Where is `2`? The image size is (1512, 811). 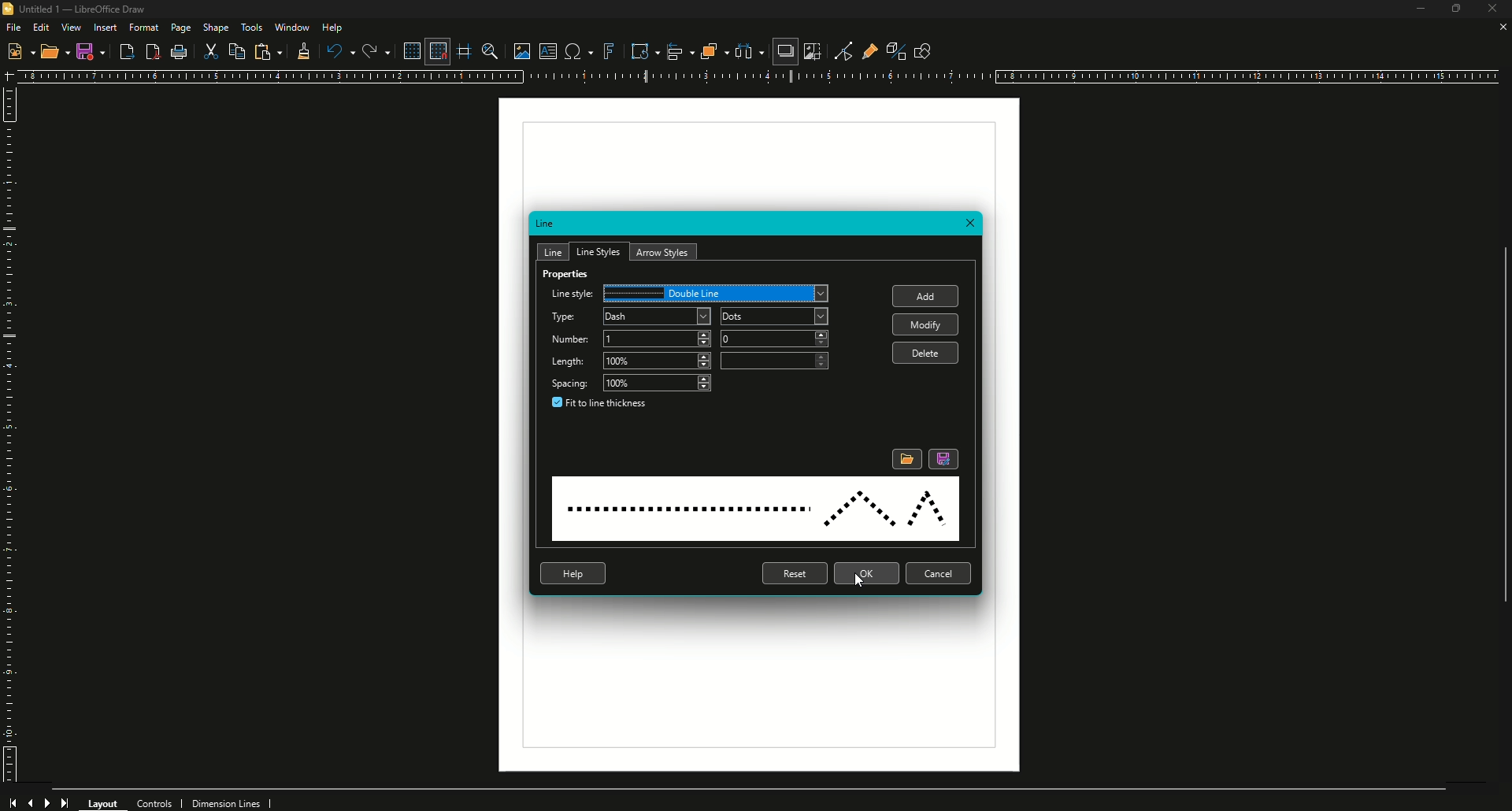 2 is located at coordinates (776, 338).